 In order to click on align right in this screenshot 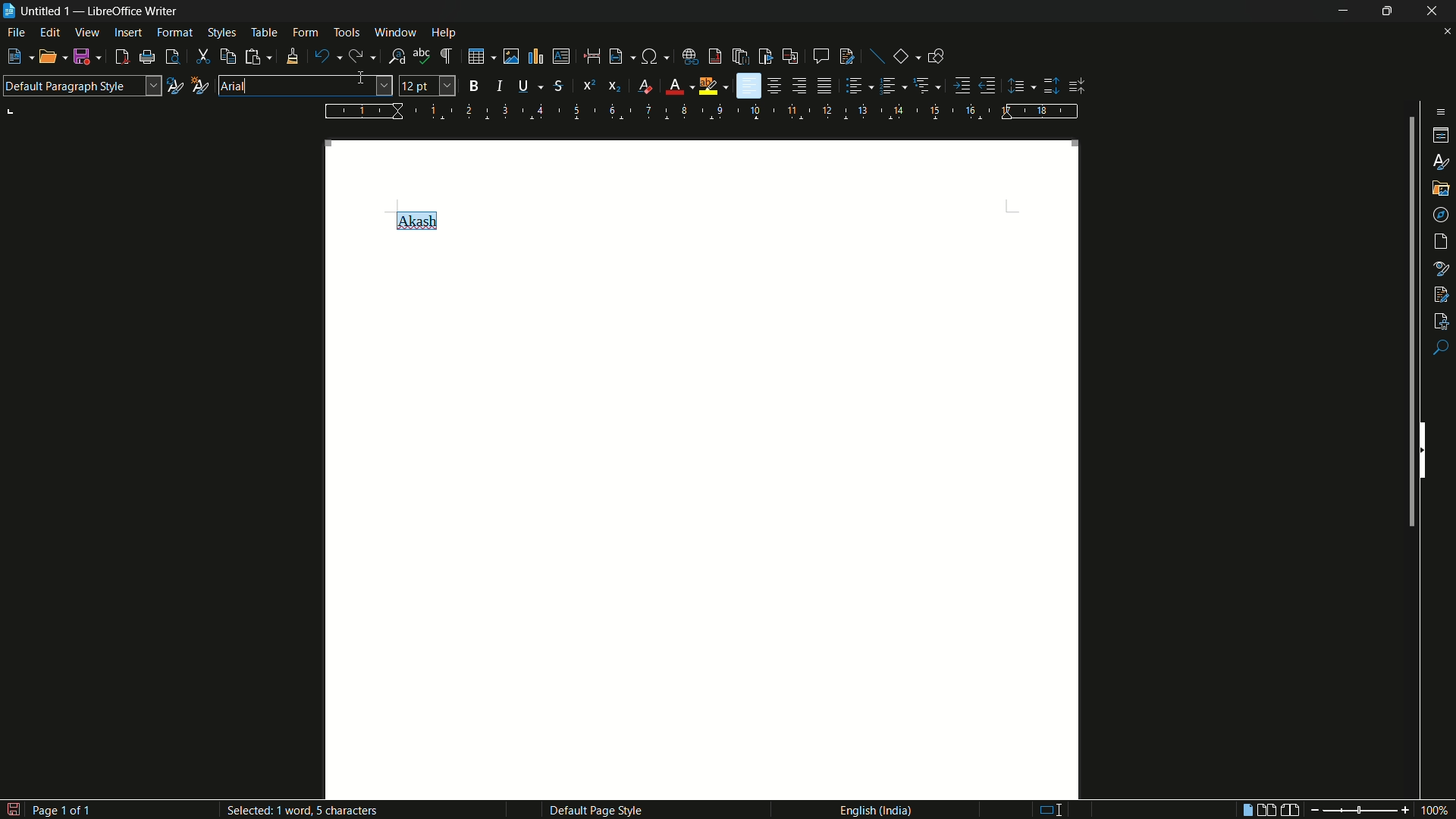, I will do `click(799, 86)`.